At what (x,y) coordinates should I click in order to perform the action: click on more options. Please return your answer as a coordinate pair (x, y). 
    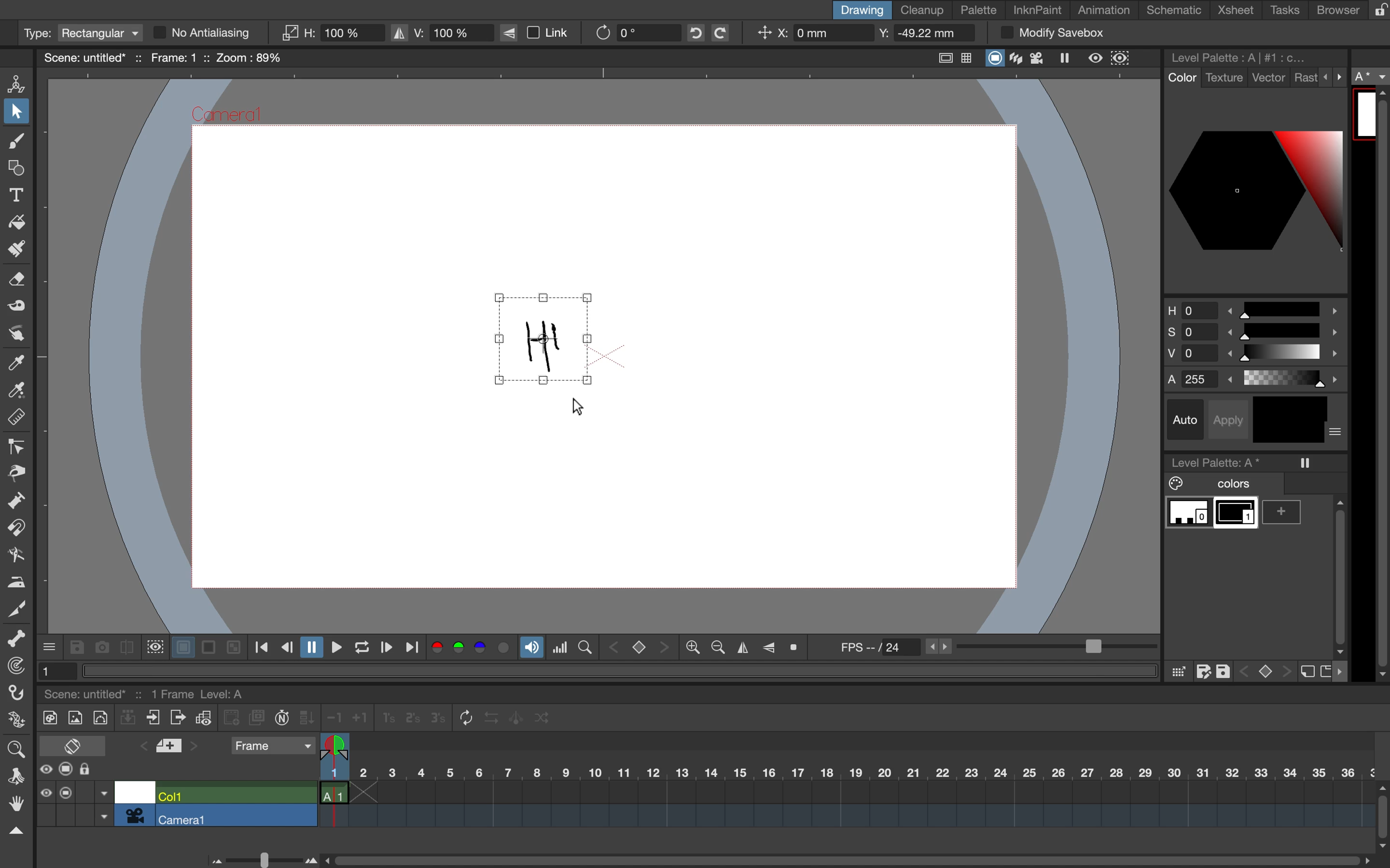
    Looking at the image, I should click on (50, 646).